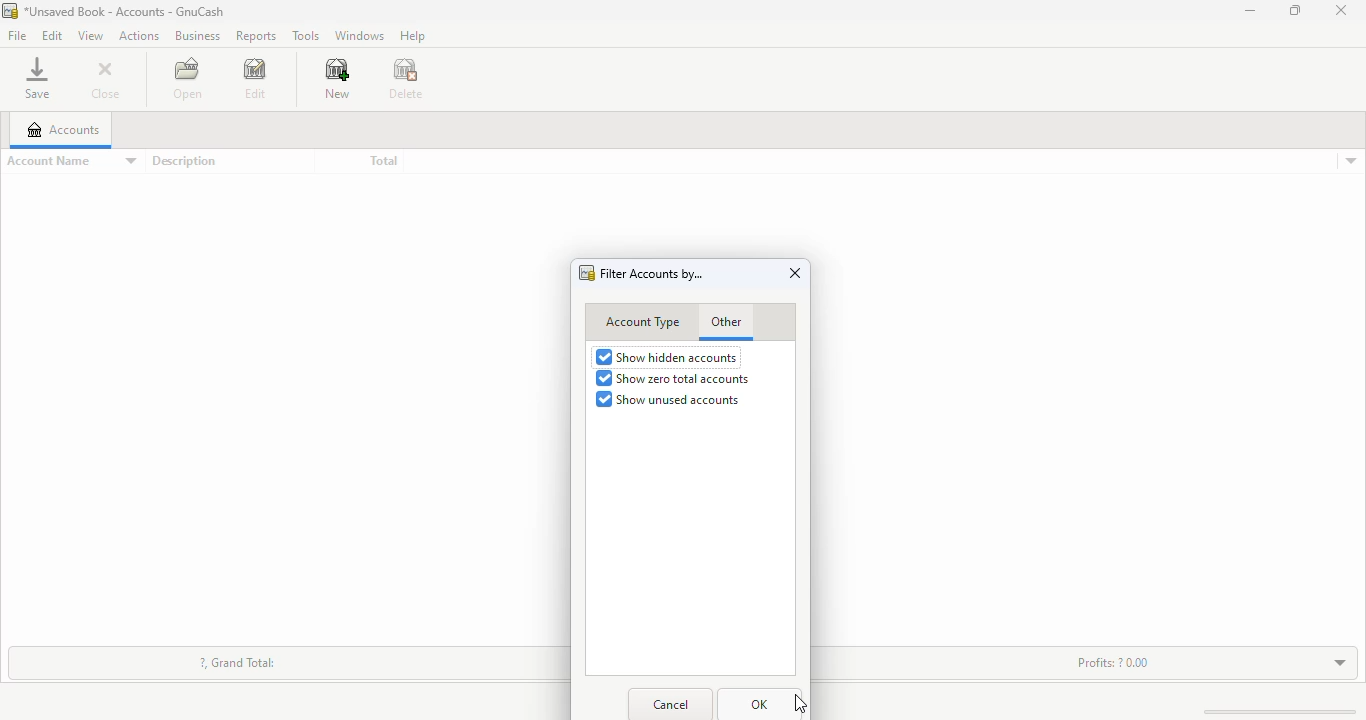  What do you see at coordinates (187, 78) in the screenshot?
I see `open` at bounding box center [187, 78].